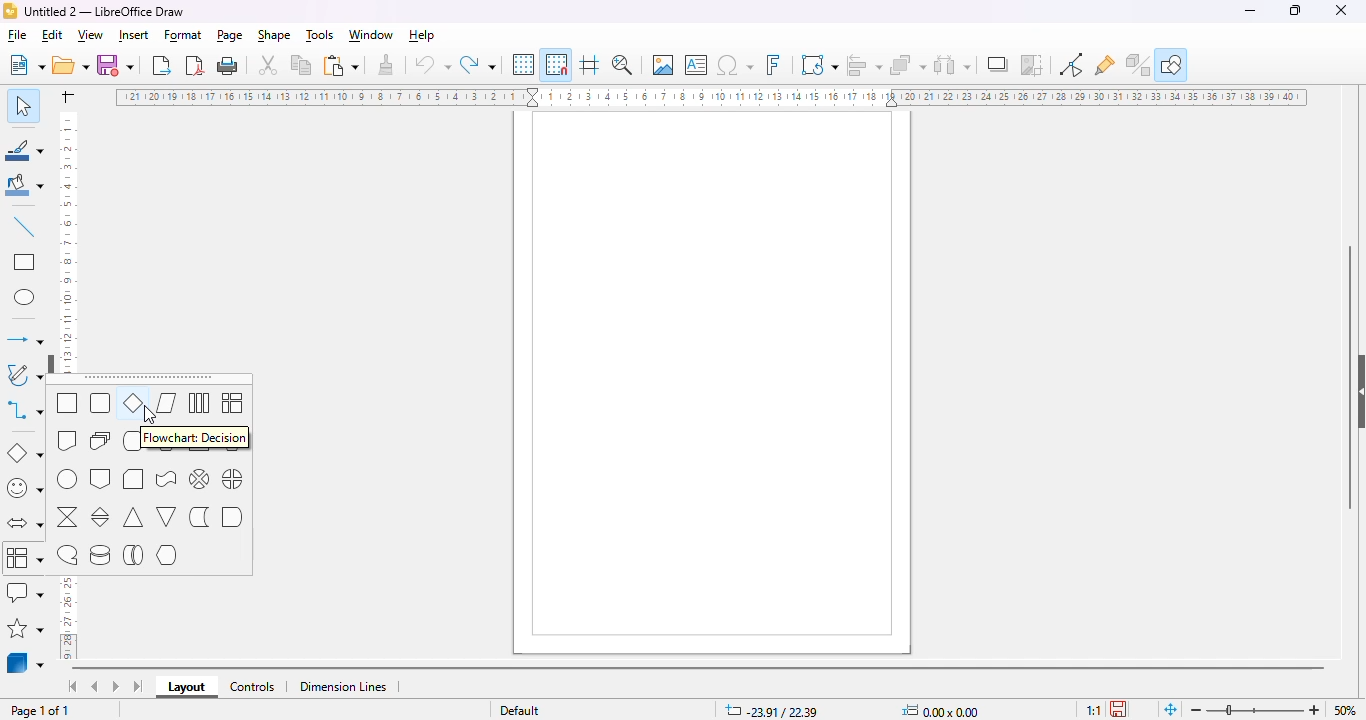 This screenshot has width=1366, height=720. Describe the element at coordinates (100, 480) in the screenshot. I see `flowchart: off-chart connector` at that location.